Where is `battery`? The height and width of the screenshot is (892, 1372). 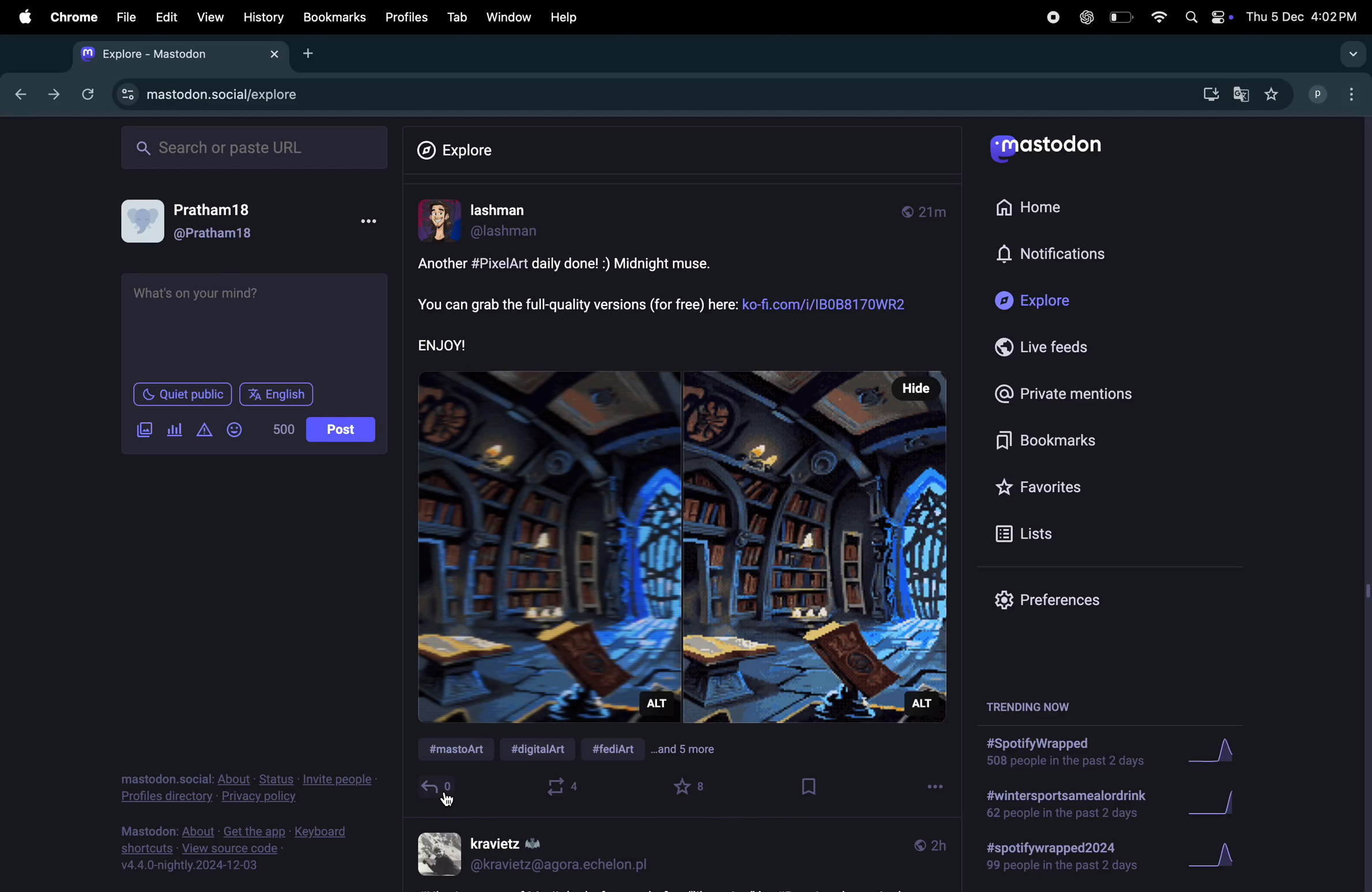
battery is located at coordinates (1120, 16).